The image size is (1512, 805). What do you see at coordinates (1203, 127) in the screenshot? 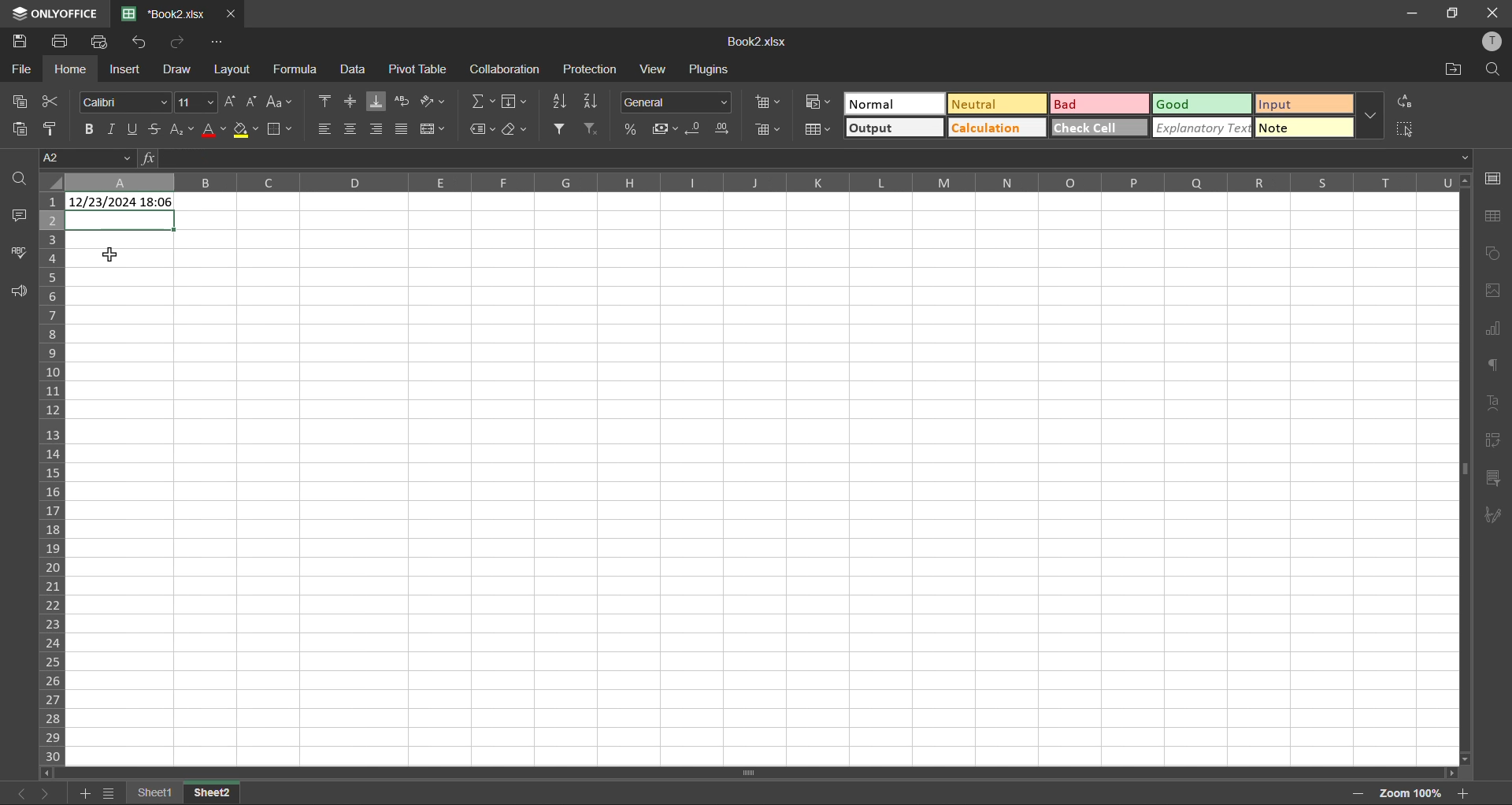
I see `explanatory text` at bounding box center [1203, 127].